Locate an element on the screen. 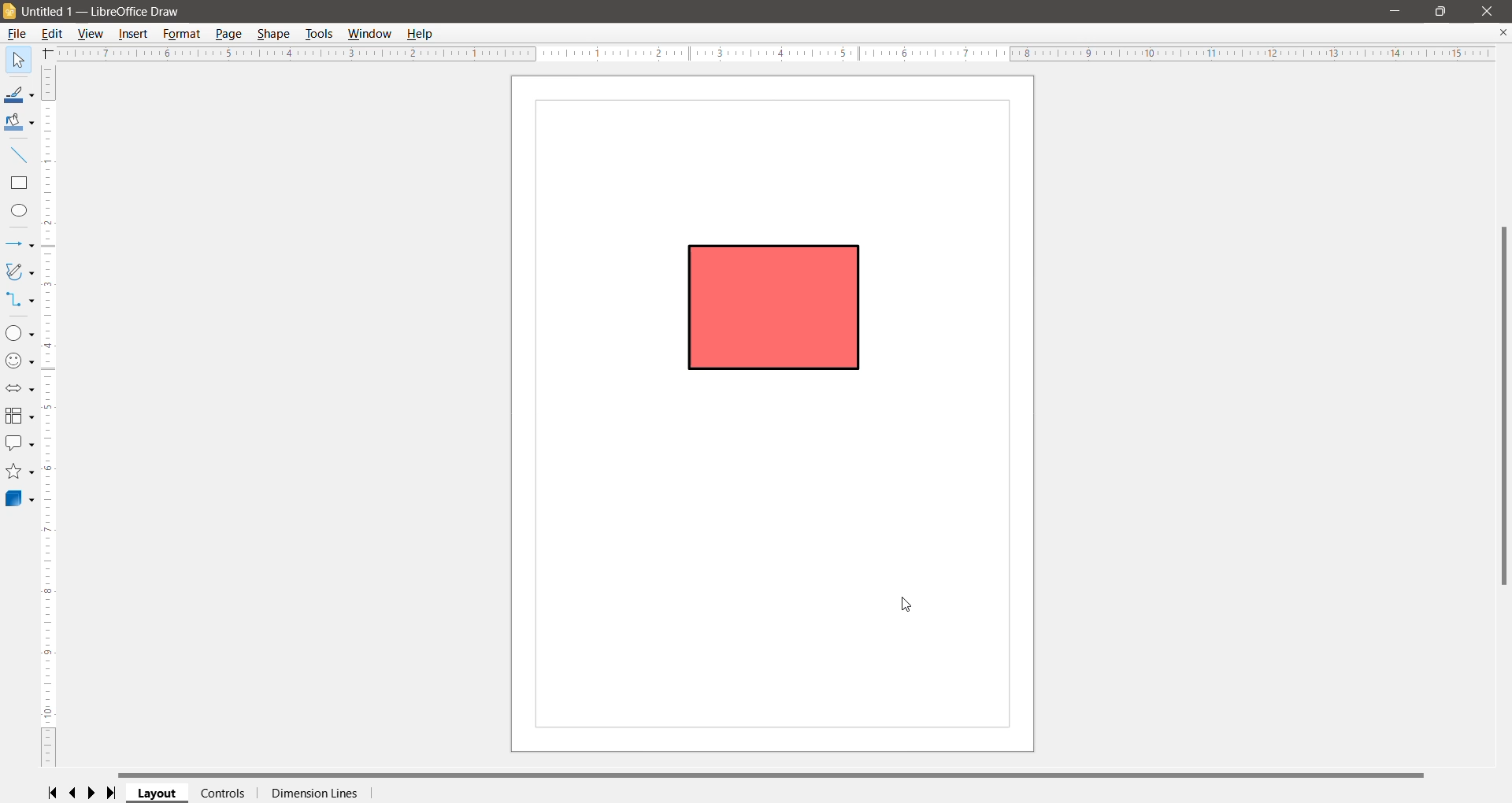 The height and width of the screenshot is (803, 1512). Callout Shapes is located at coordinates (20, 443).